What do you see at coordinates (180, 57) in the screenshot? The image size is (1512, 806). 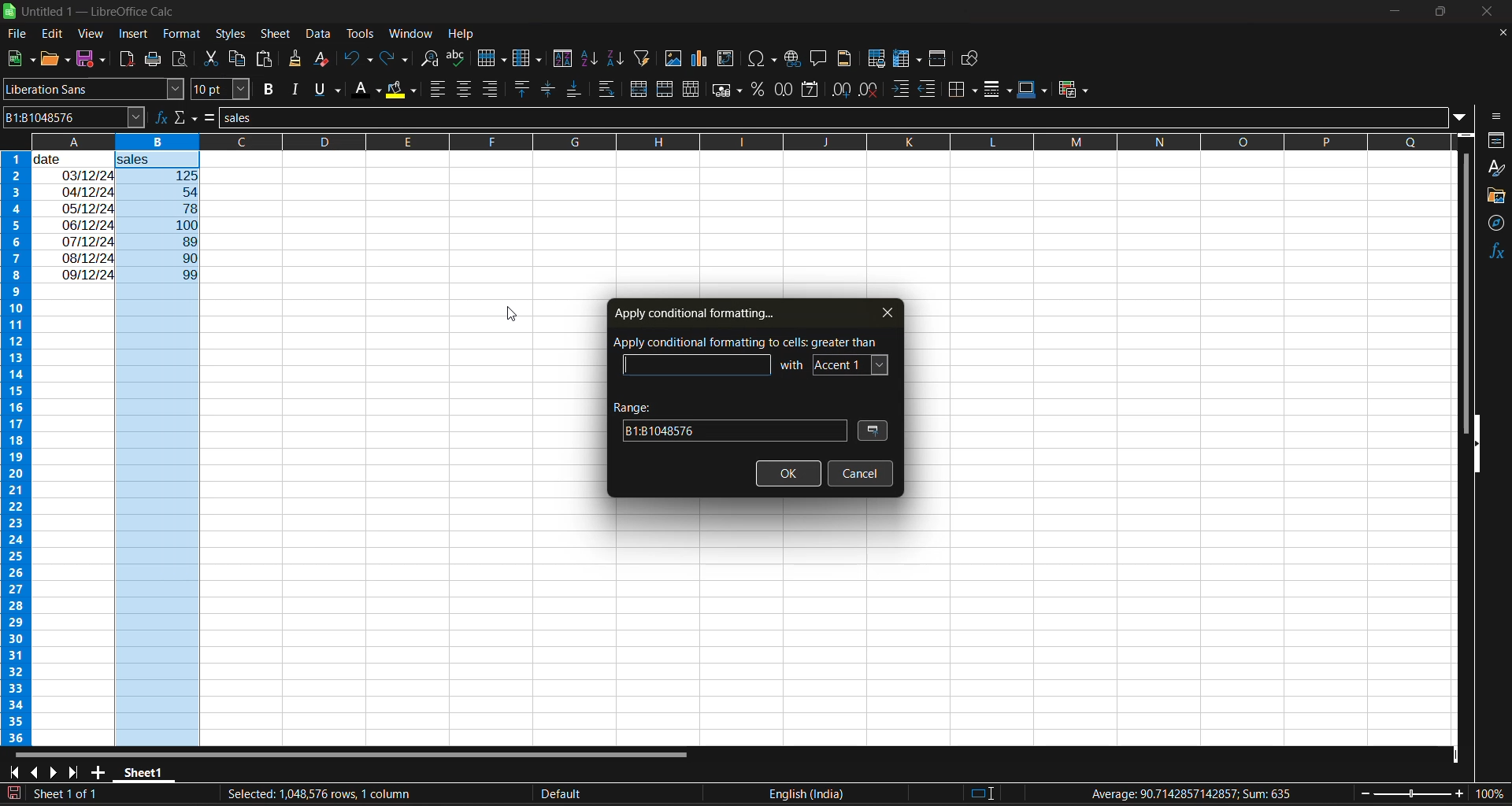 I see `toggle print preview` at bounding box center [180, 57].